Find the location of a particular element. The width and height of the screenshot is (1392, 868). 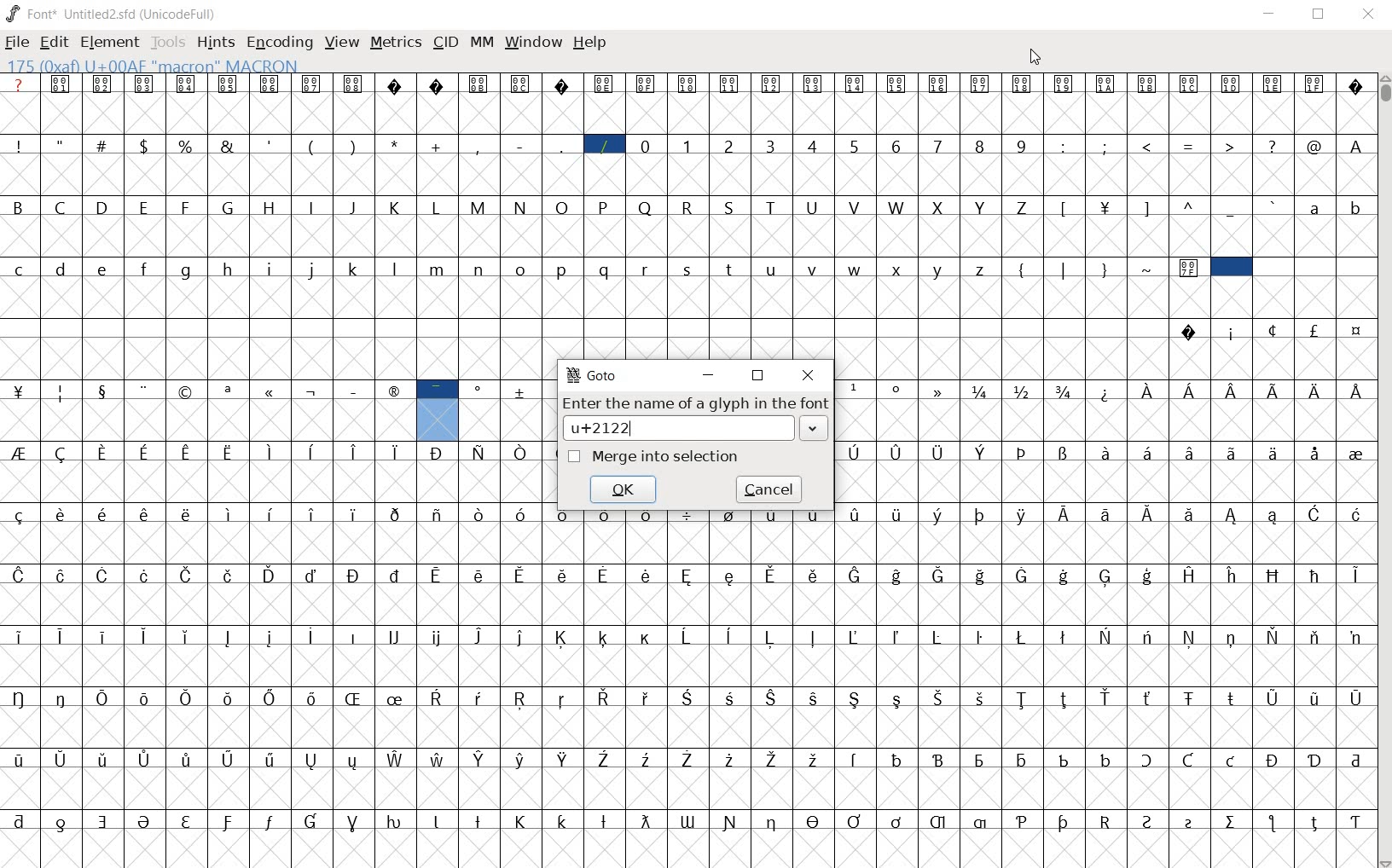

MINIMIZE is located at coordinates (1269, 13).